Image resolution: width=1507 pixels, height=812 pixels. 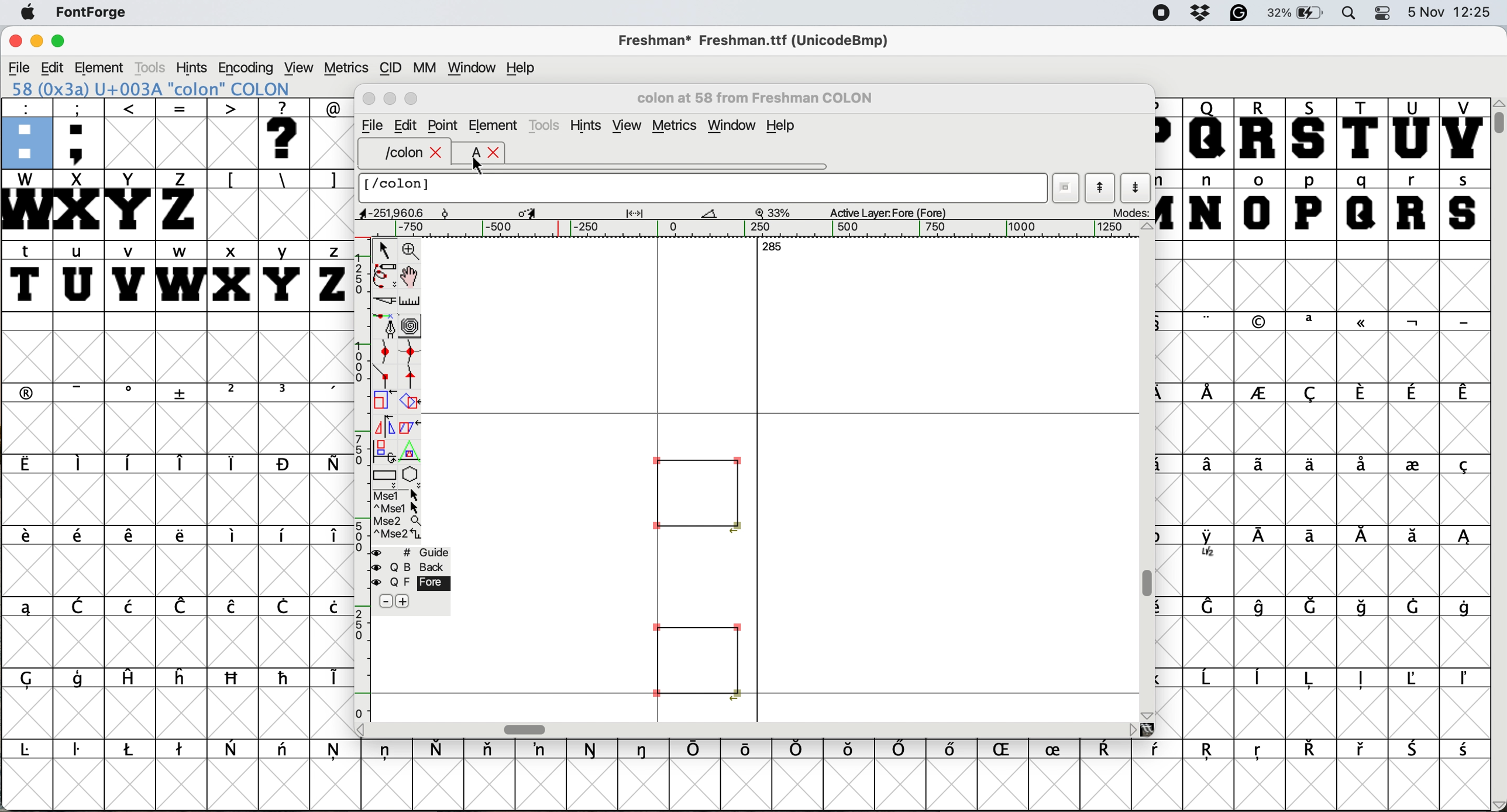 I want to click on W, so click(x=25, y=204).